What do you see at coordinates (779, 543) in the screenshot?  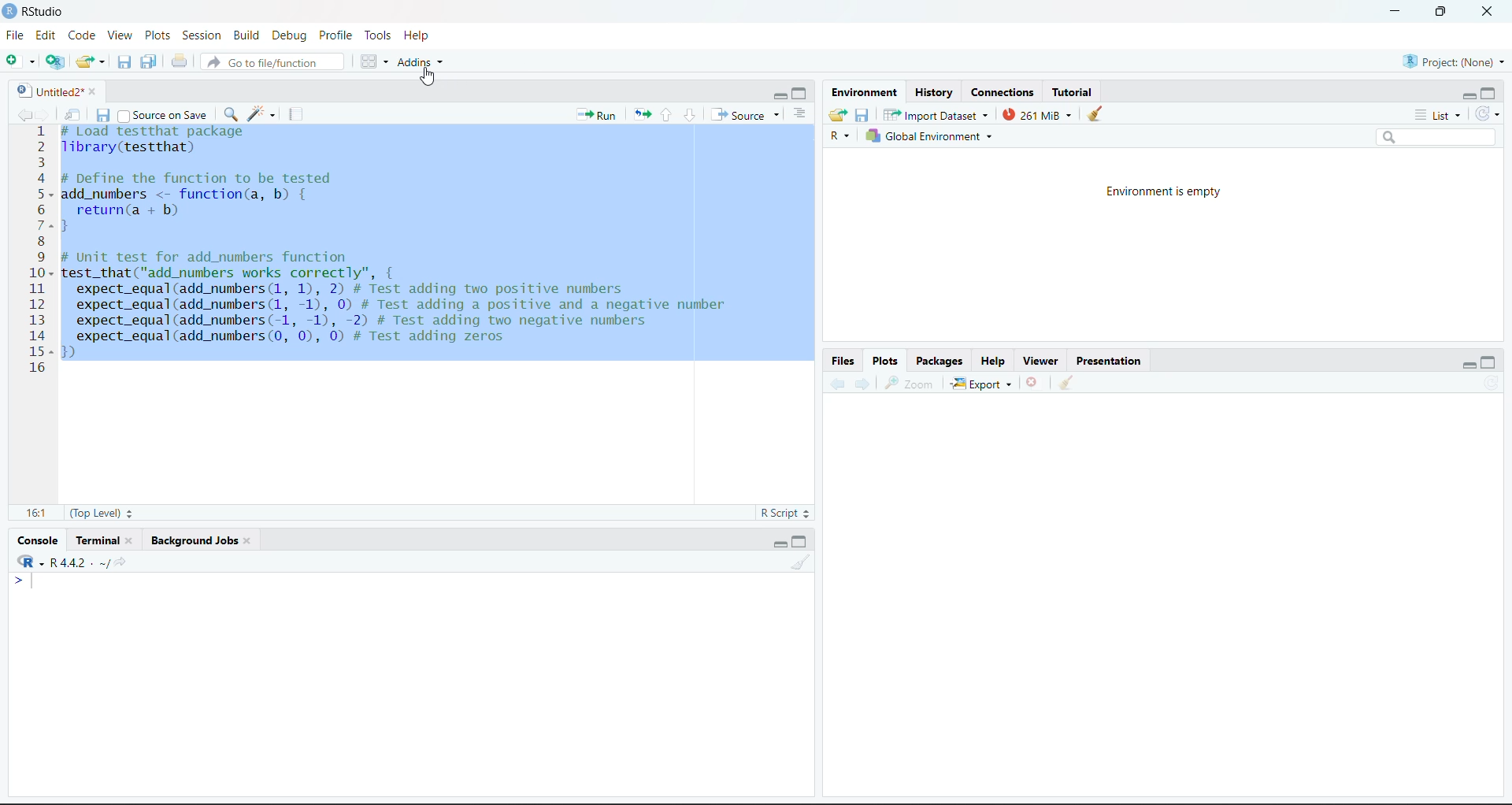 I see `minimize` at bounding box center [779, 543].